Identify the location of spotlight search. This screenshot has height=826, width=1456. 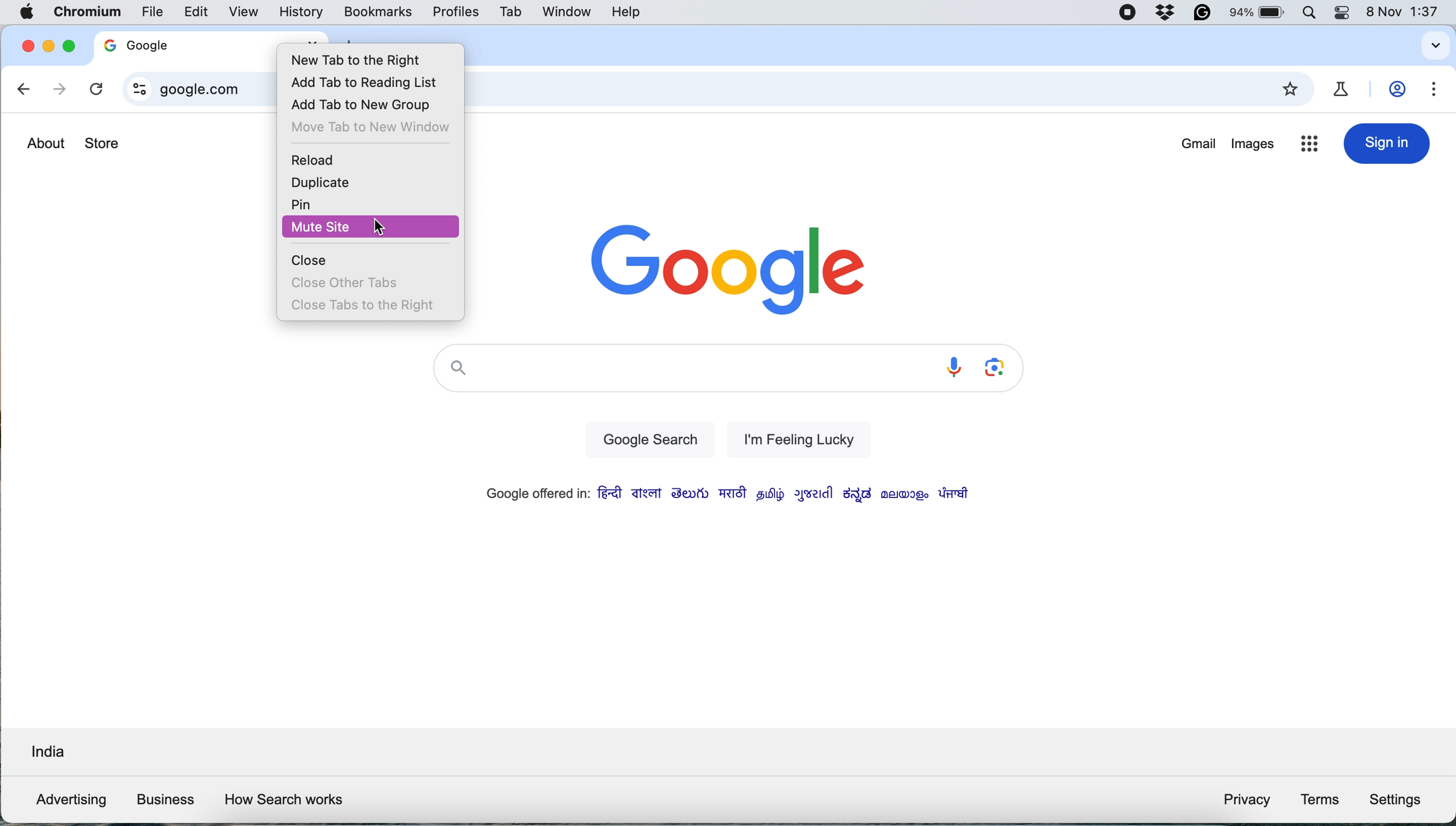
(1315, 14).